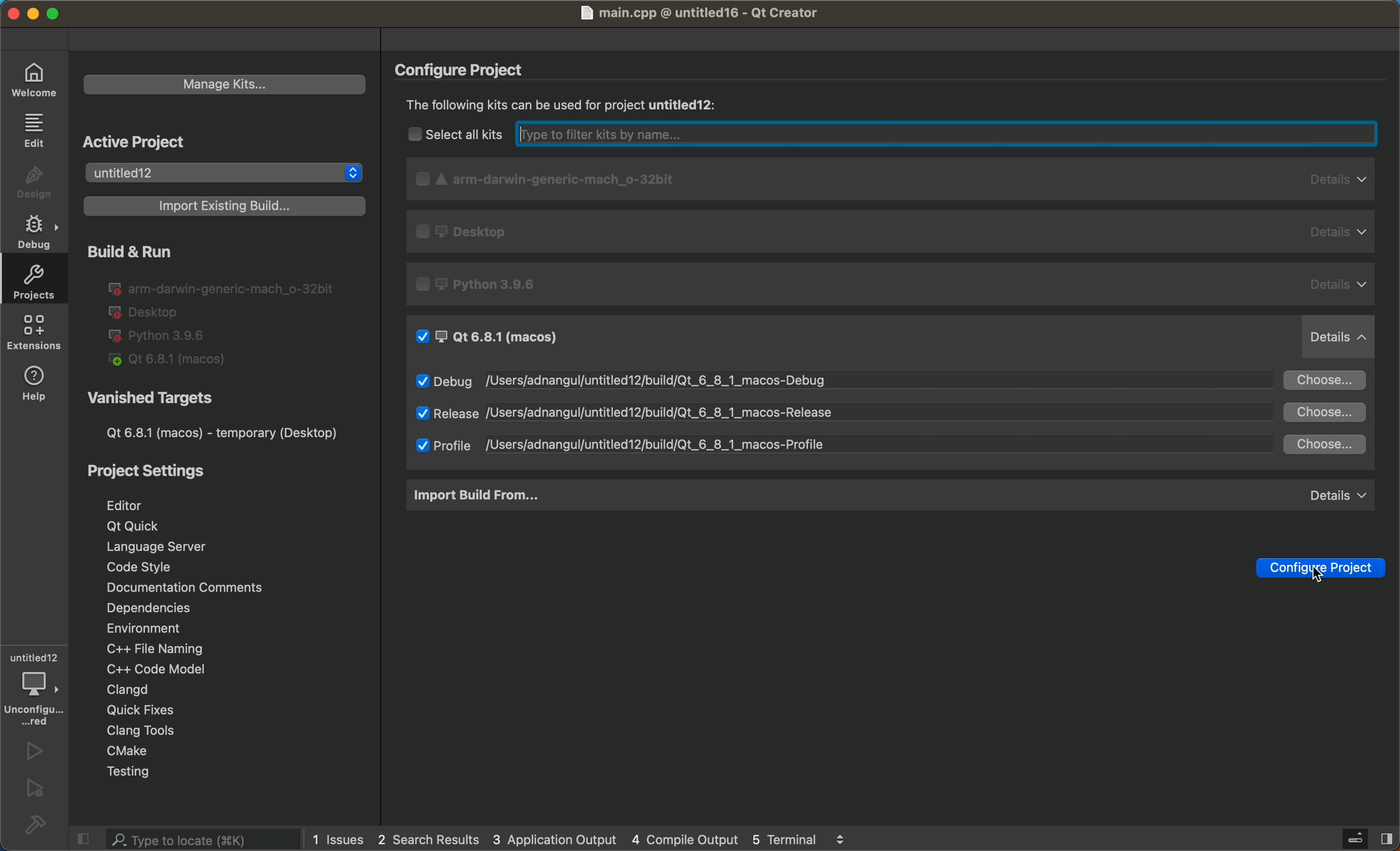 The image size is (1400, 851). Describe the element at coordinates (226, 207) in the screenshot. I see `import existing build` at that location.